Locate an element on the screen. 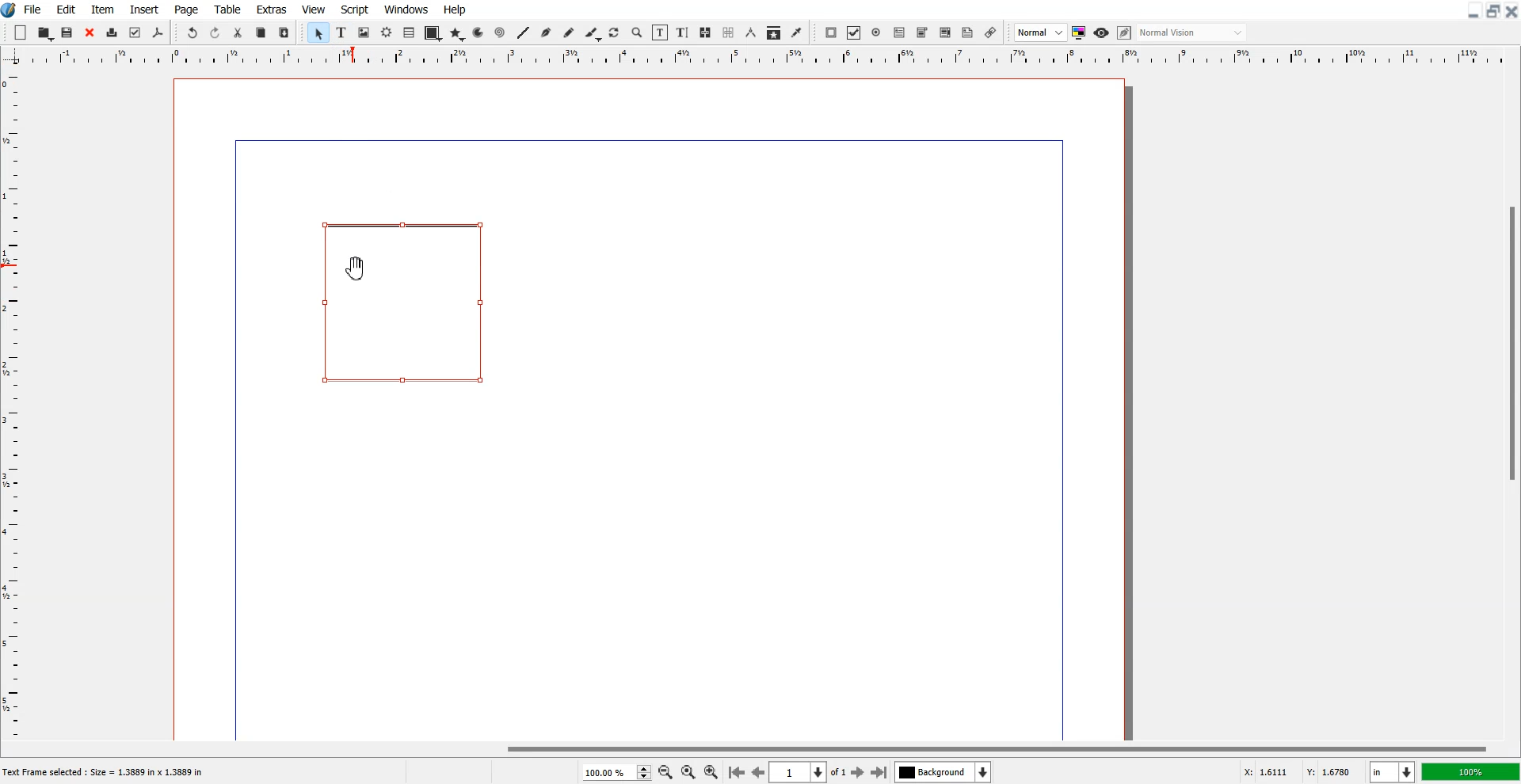 This screenshot has width=1521, height=784. 100% is located at coordinates (1472, 771).